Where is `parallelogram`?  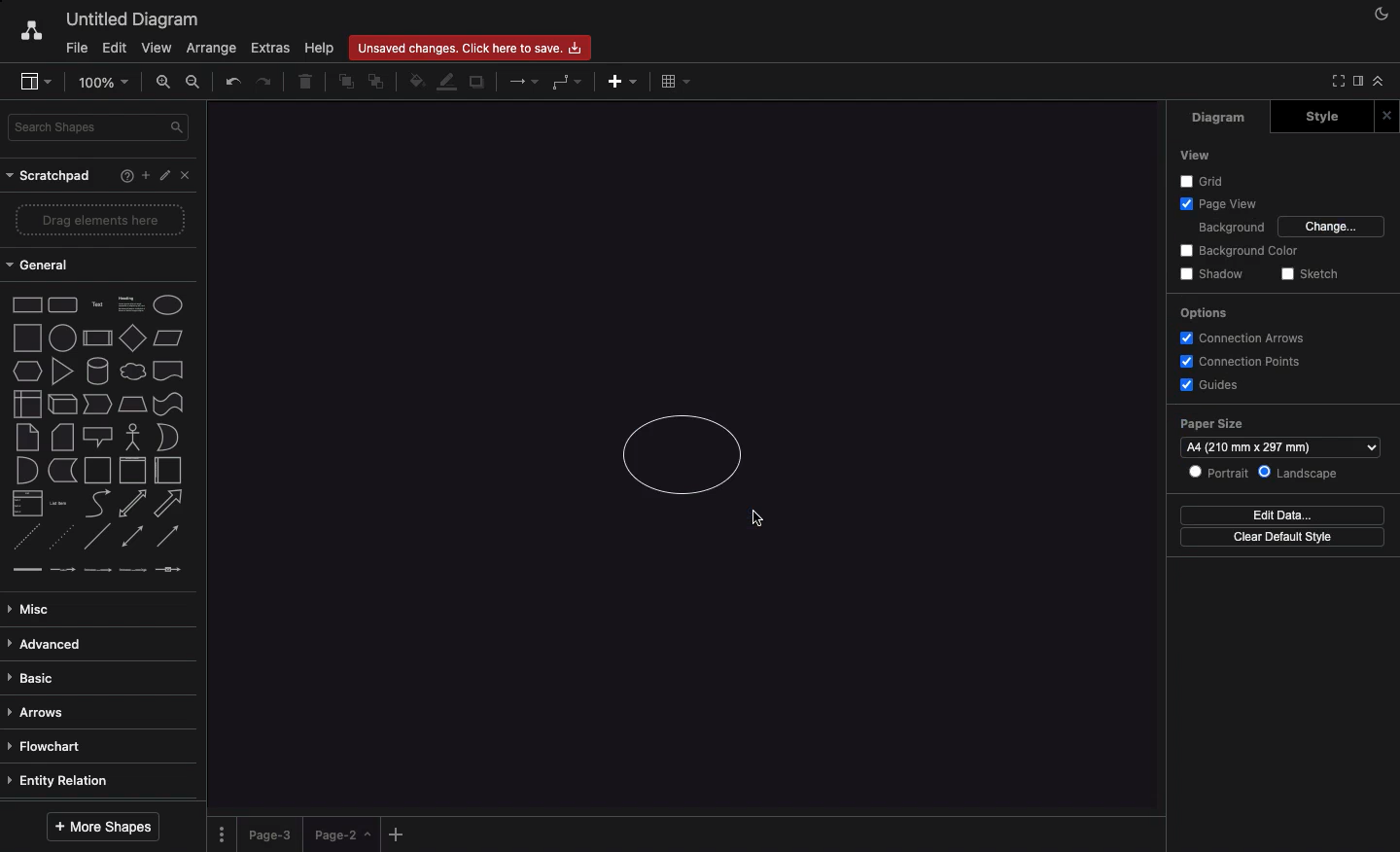
parallelogram is located at coordinates (168, 337).